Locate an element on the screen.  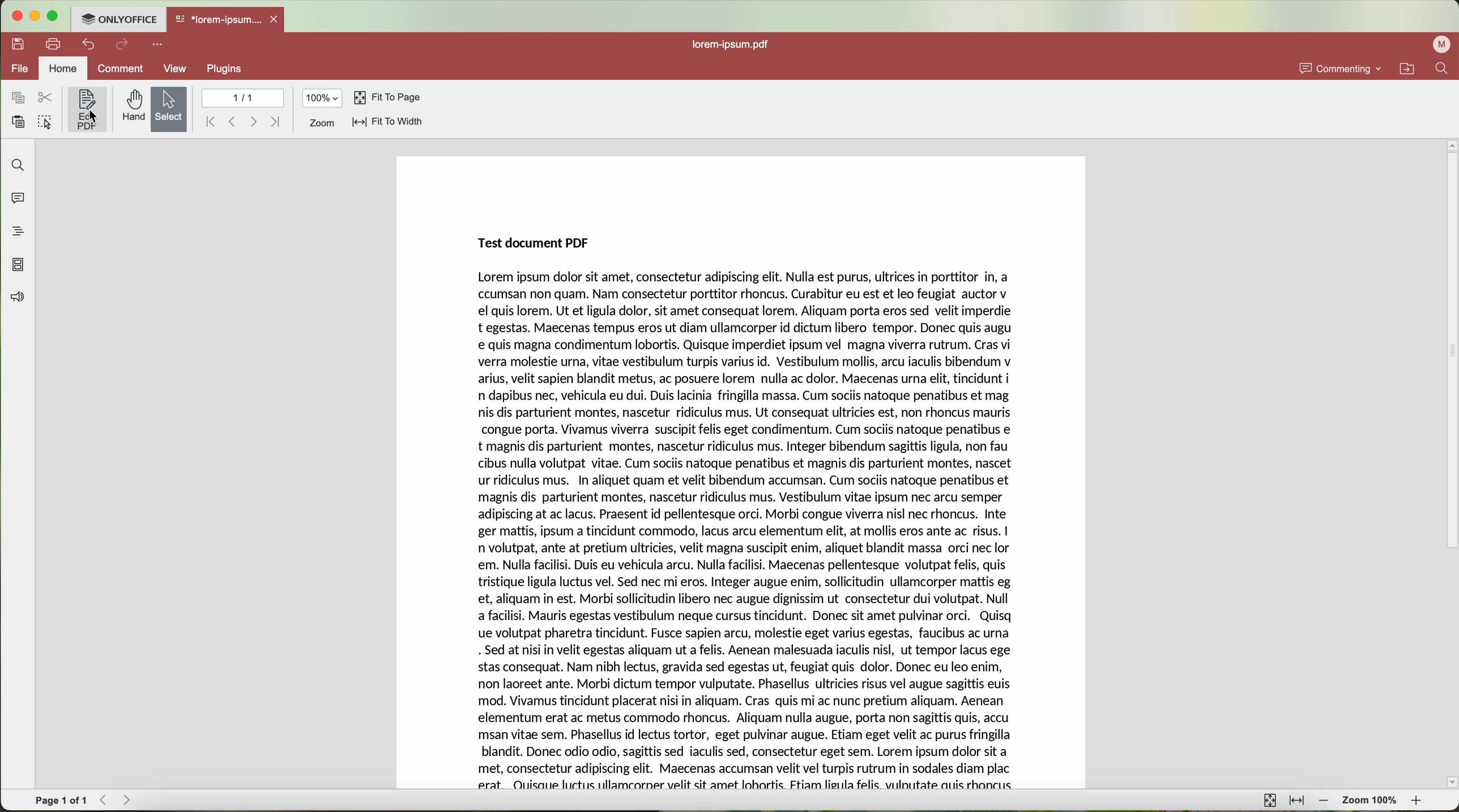
maximize is located at coordinates (54, 16).